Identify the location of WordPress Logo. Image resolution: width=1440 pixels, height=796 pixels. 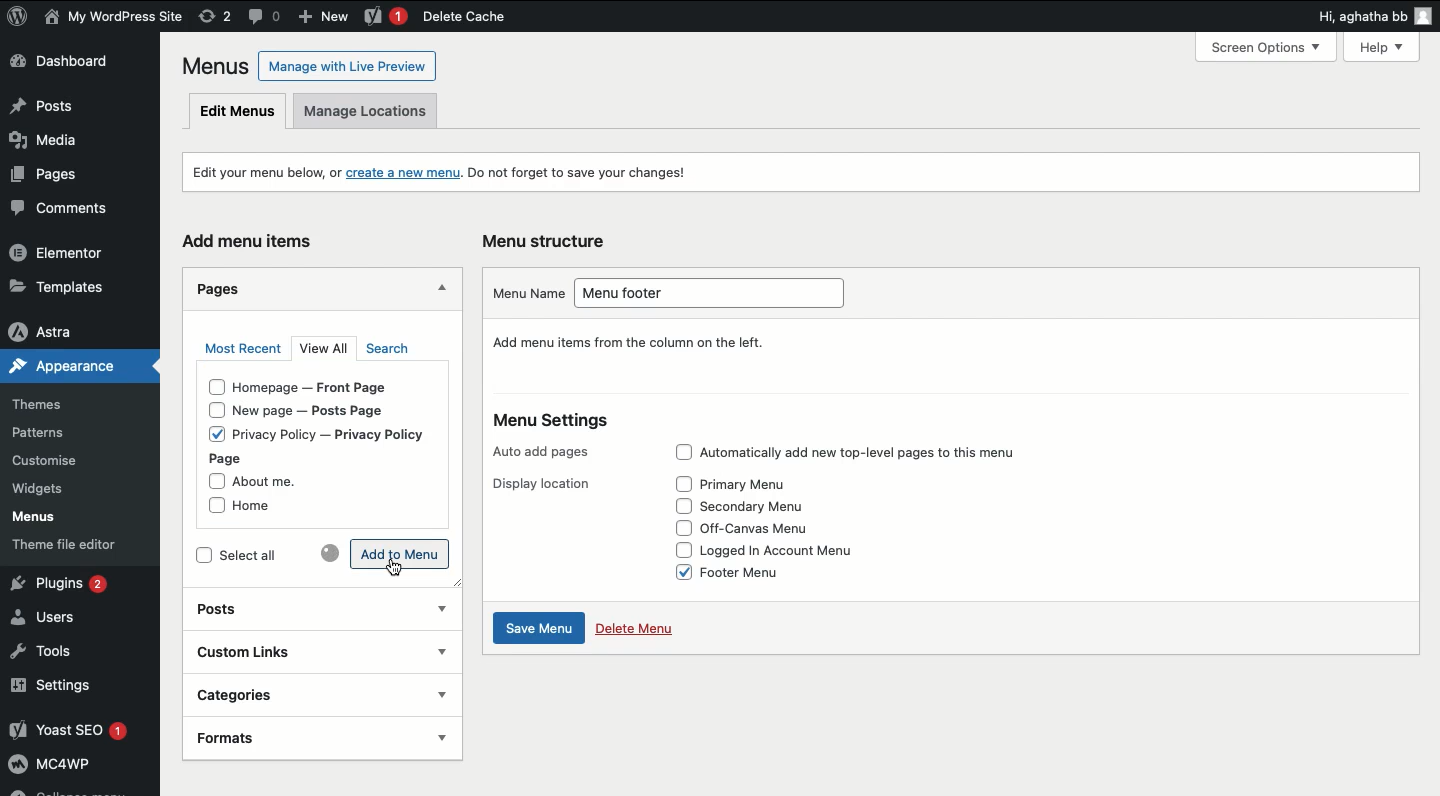
(18, 16).